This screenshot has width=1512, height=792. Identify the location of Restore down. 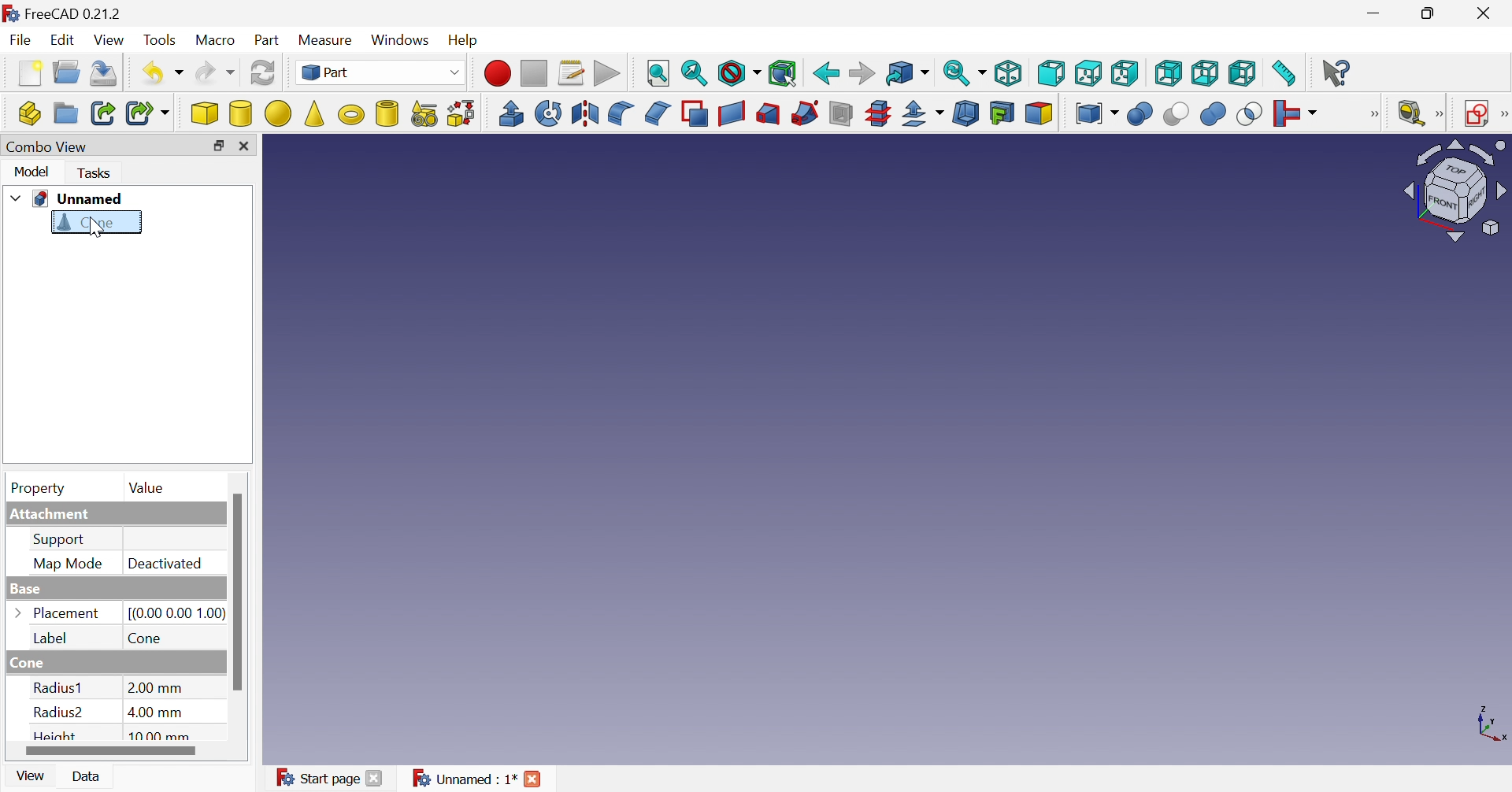
(1429, 15).